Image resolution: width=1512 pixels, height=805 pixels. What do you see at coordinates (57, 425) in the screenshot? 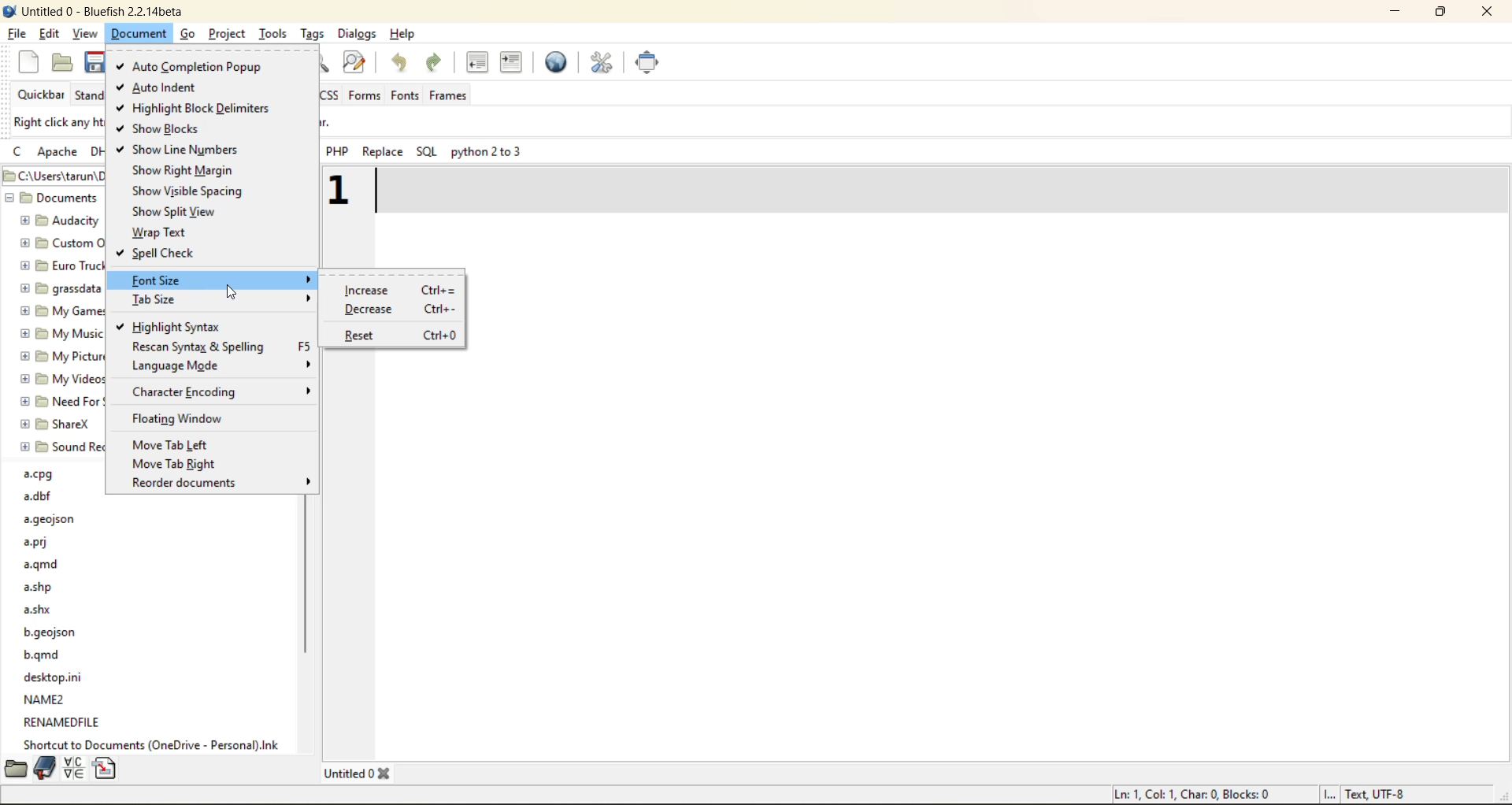
I see `sharex` at bounding box center [57, 425].